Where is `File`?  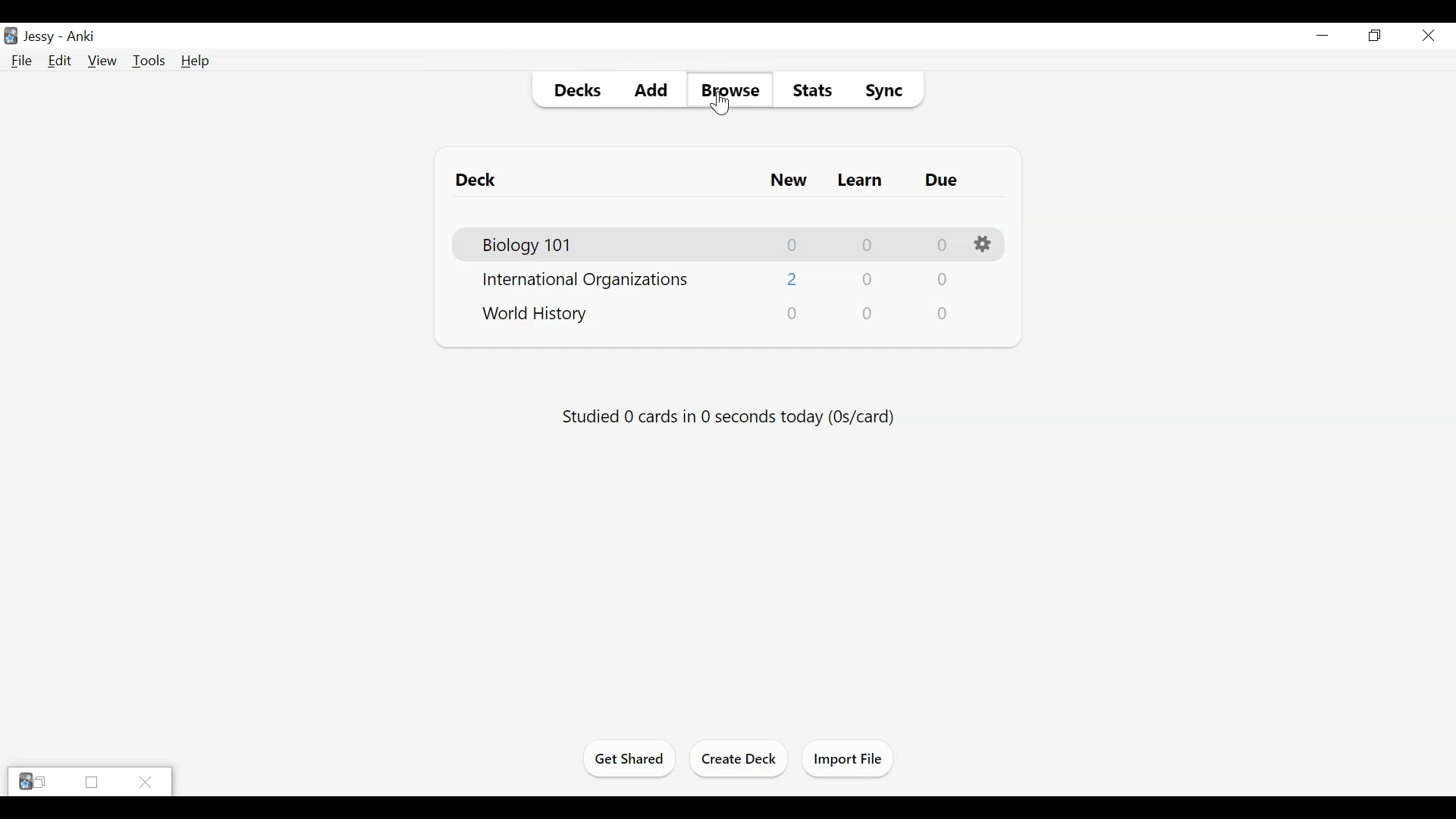 File is located at coordinates (19, 61).